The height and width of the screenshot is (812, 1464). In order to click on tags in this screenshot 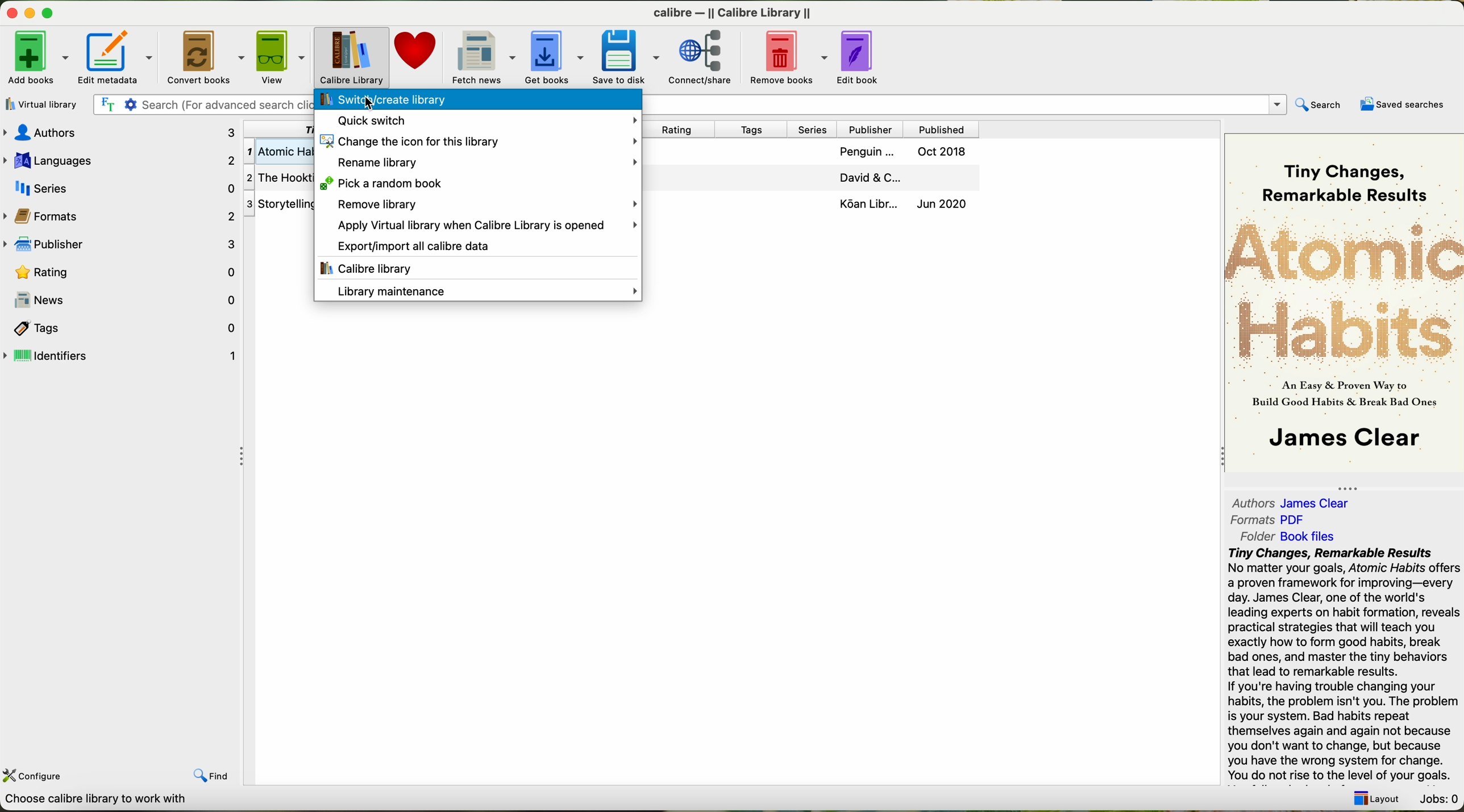, I will do `click(753, 130)`.